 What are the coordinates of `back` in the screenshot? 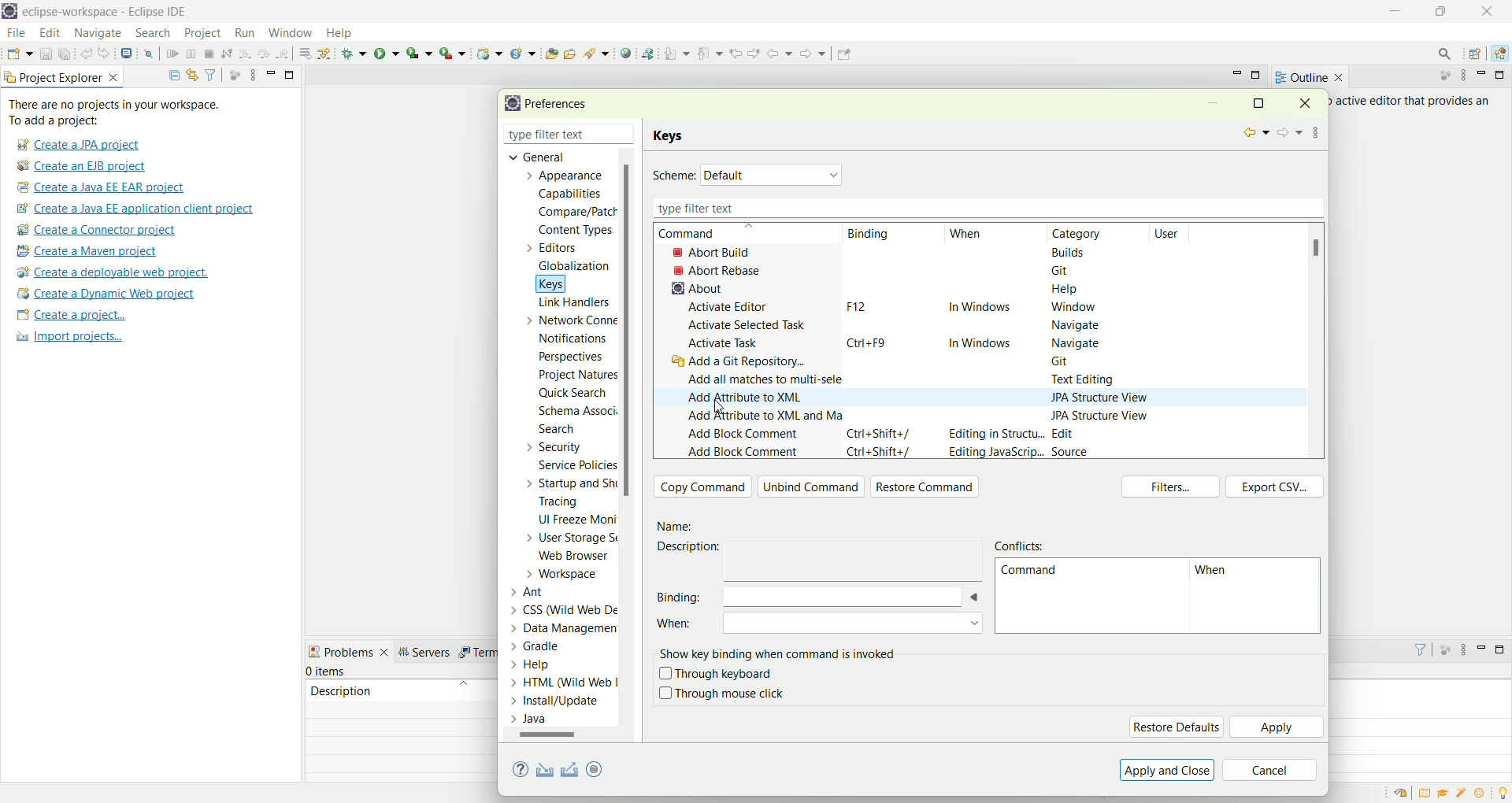 It's located at (783, 53).